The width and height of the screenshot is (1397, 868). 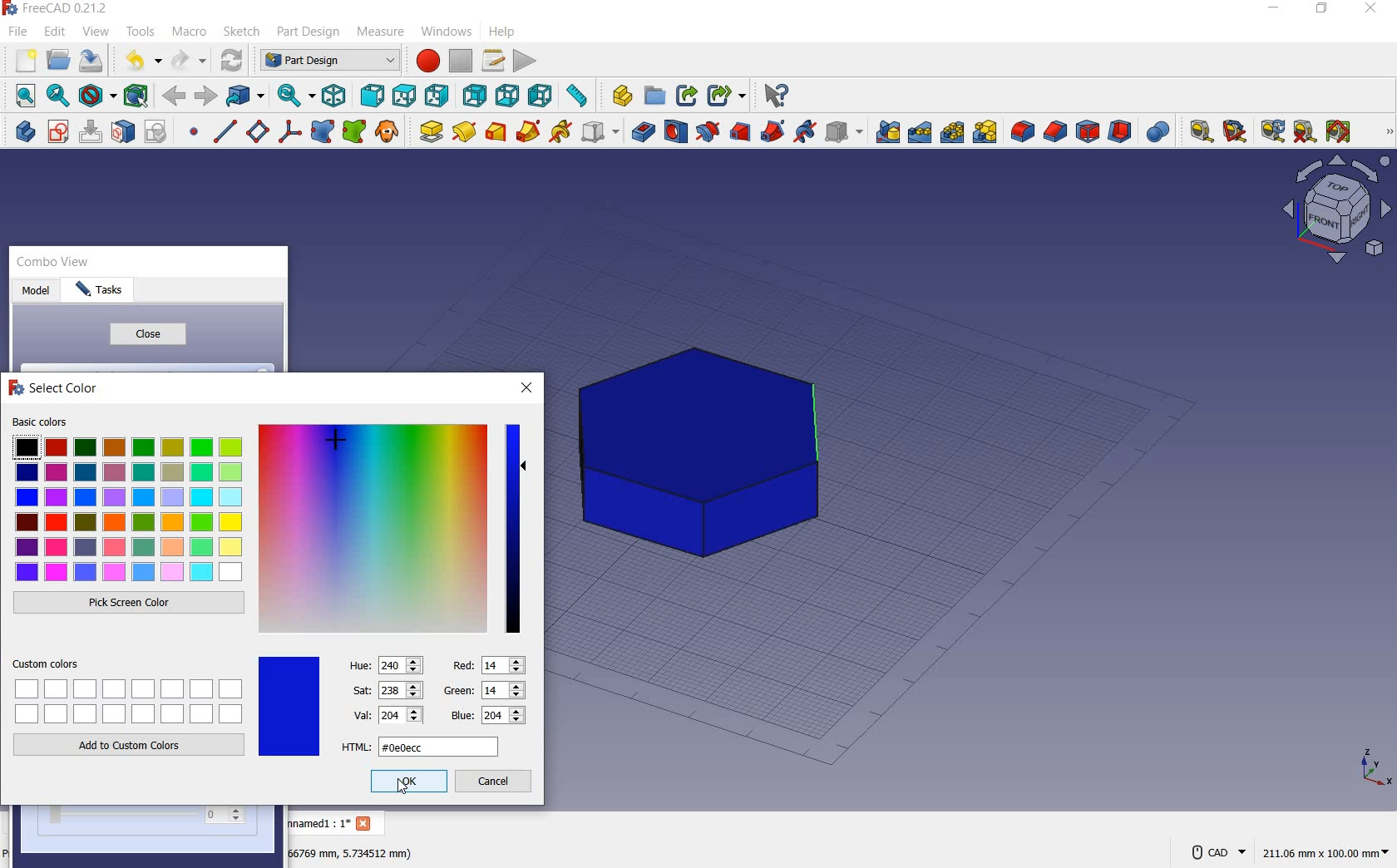 What do you see at coordinates (37, 291) in the screenshot?
I see `model` at bounding box center [37, 291].